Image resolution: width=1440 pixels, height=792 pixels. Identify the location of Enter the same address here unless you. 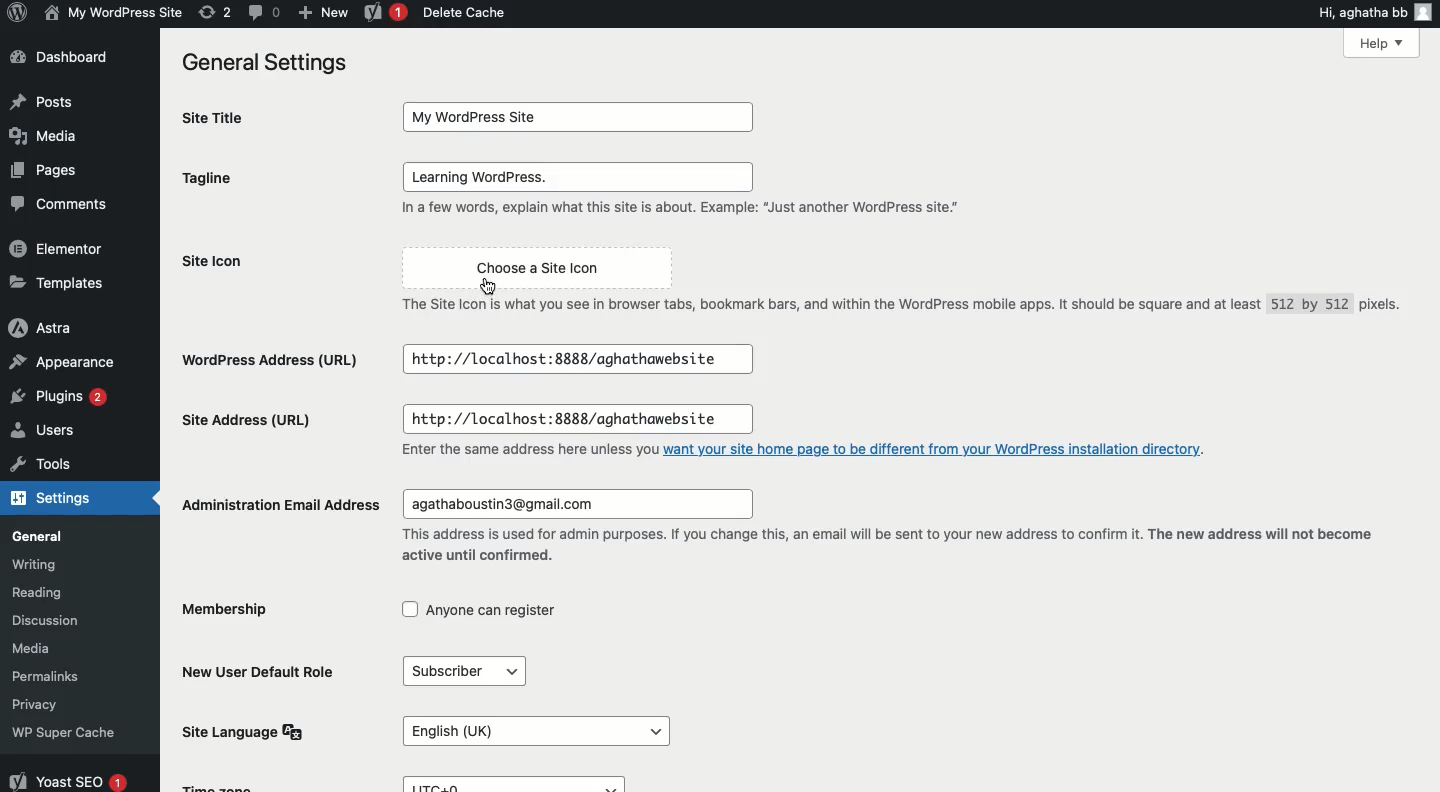
(511, 447).